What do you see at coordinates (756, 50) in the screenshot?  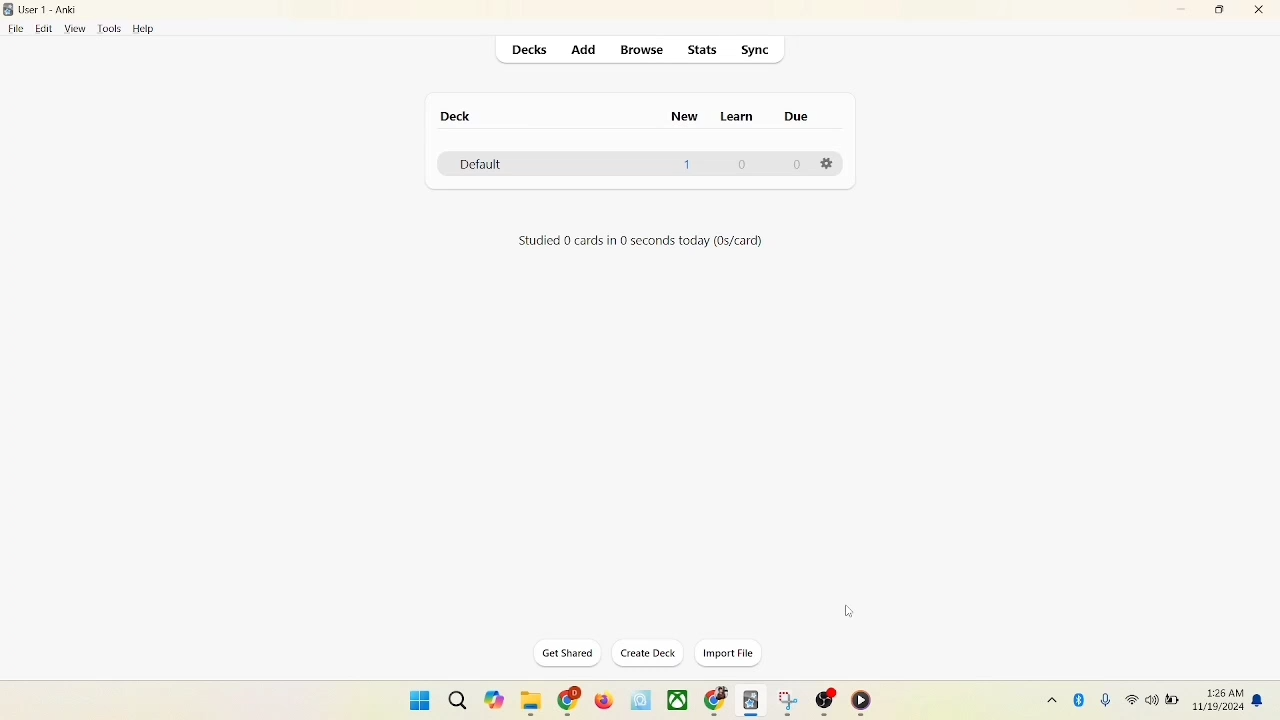 I see `sync` at bounding box center [756, 50].